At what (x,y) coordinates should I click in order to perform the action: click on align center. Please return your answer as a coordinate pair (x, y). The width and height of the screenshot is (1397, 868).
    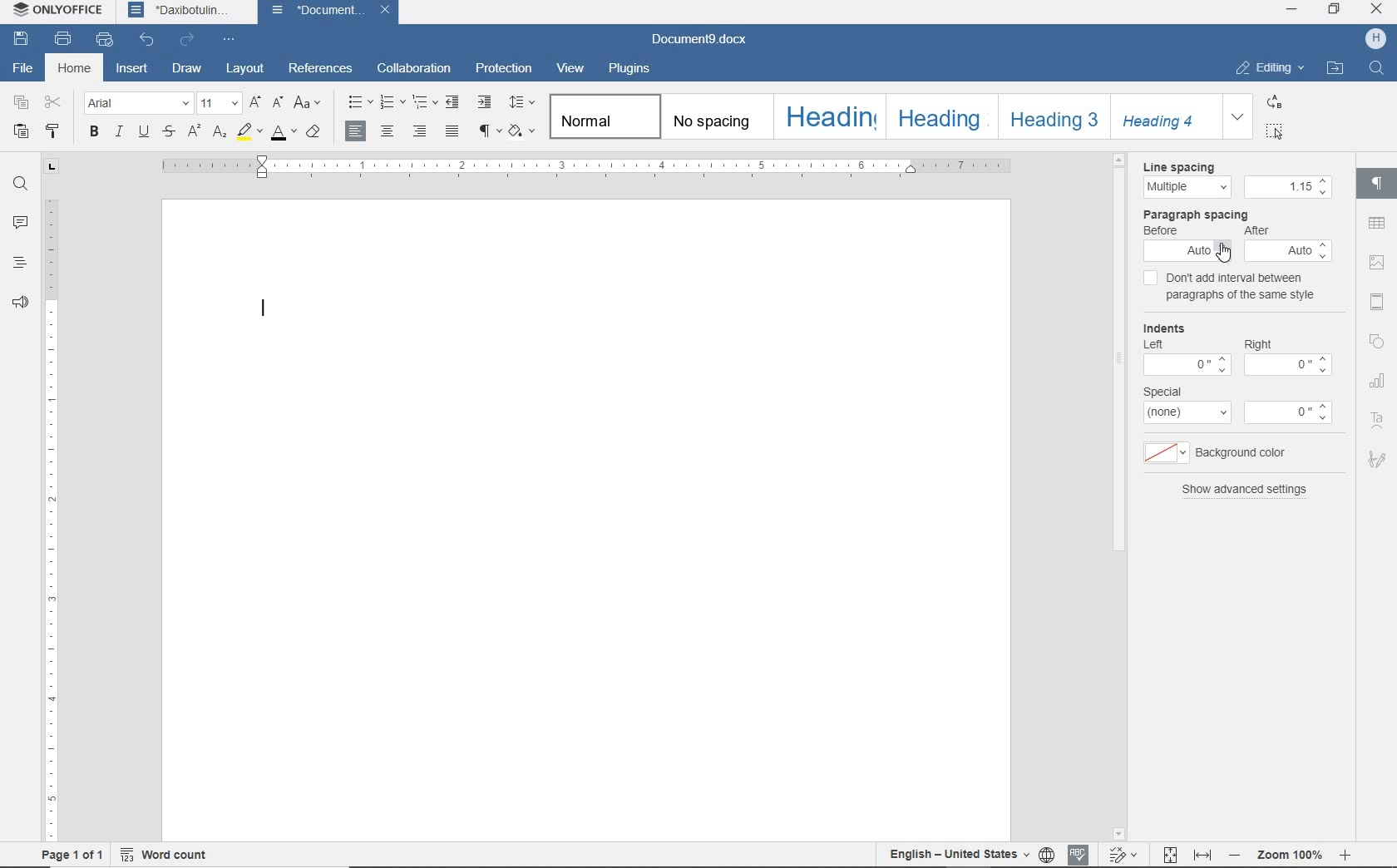
    Looking at the image, I should click on (388, 131).